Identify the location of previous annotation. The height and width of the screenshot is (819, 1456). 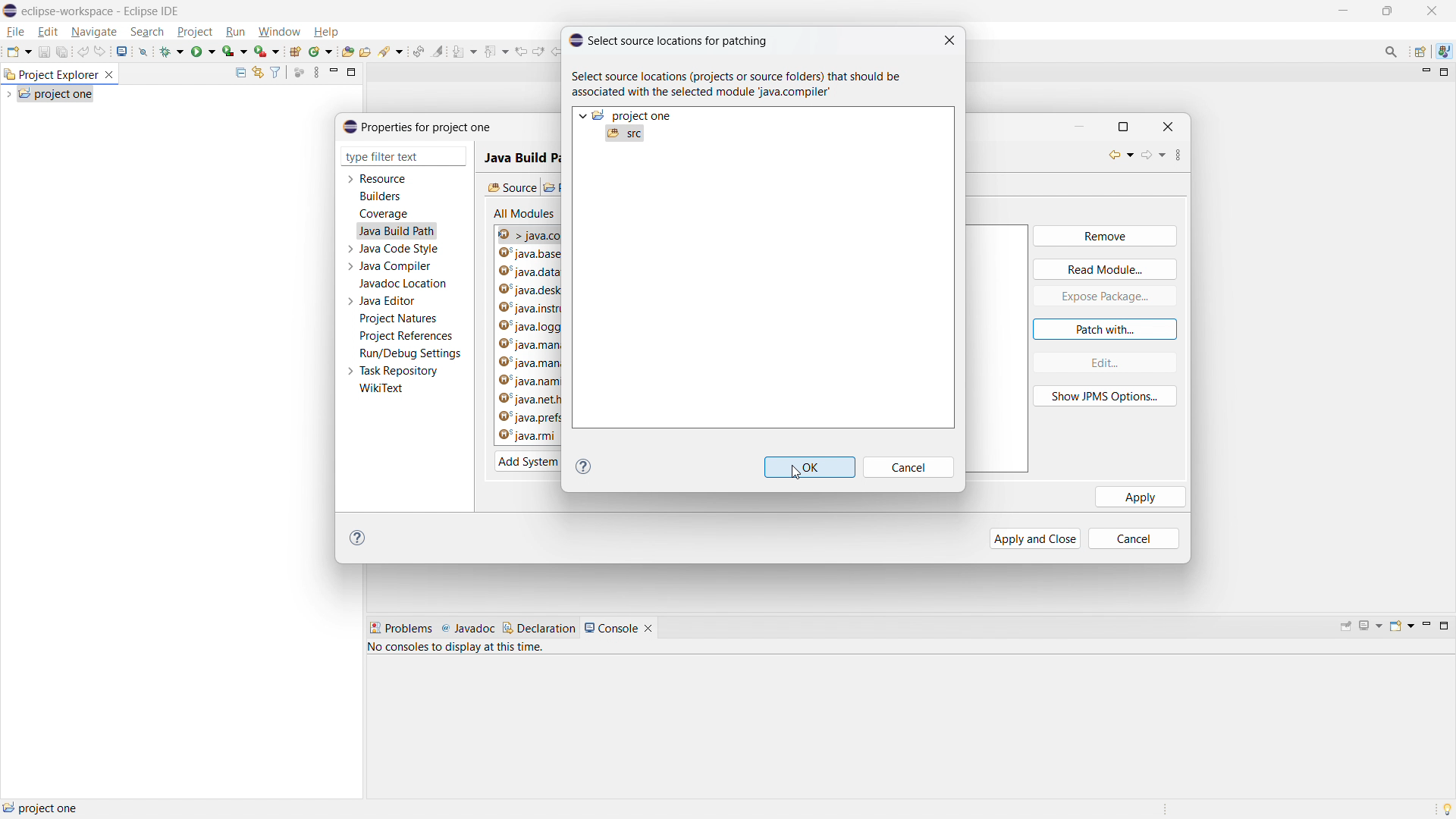
(495, 50).